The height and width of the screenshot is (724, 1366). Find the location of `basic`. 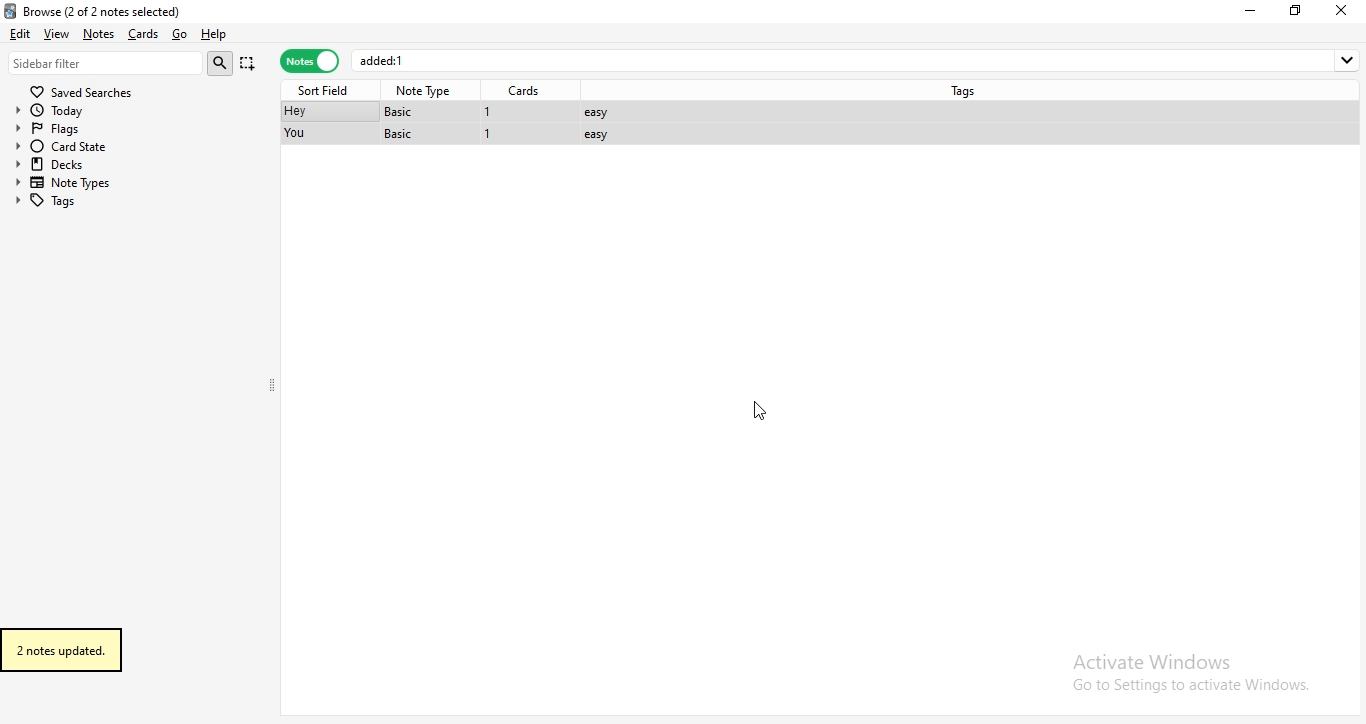

basic is located at coordinates (401, 134).